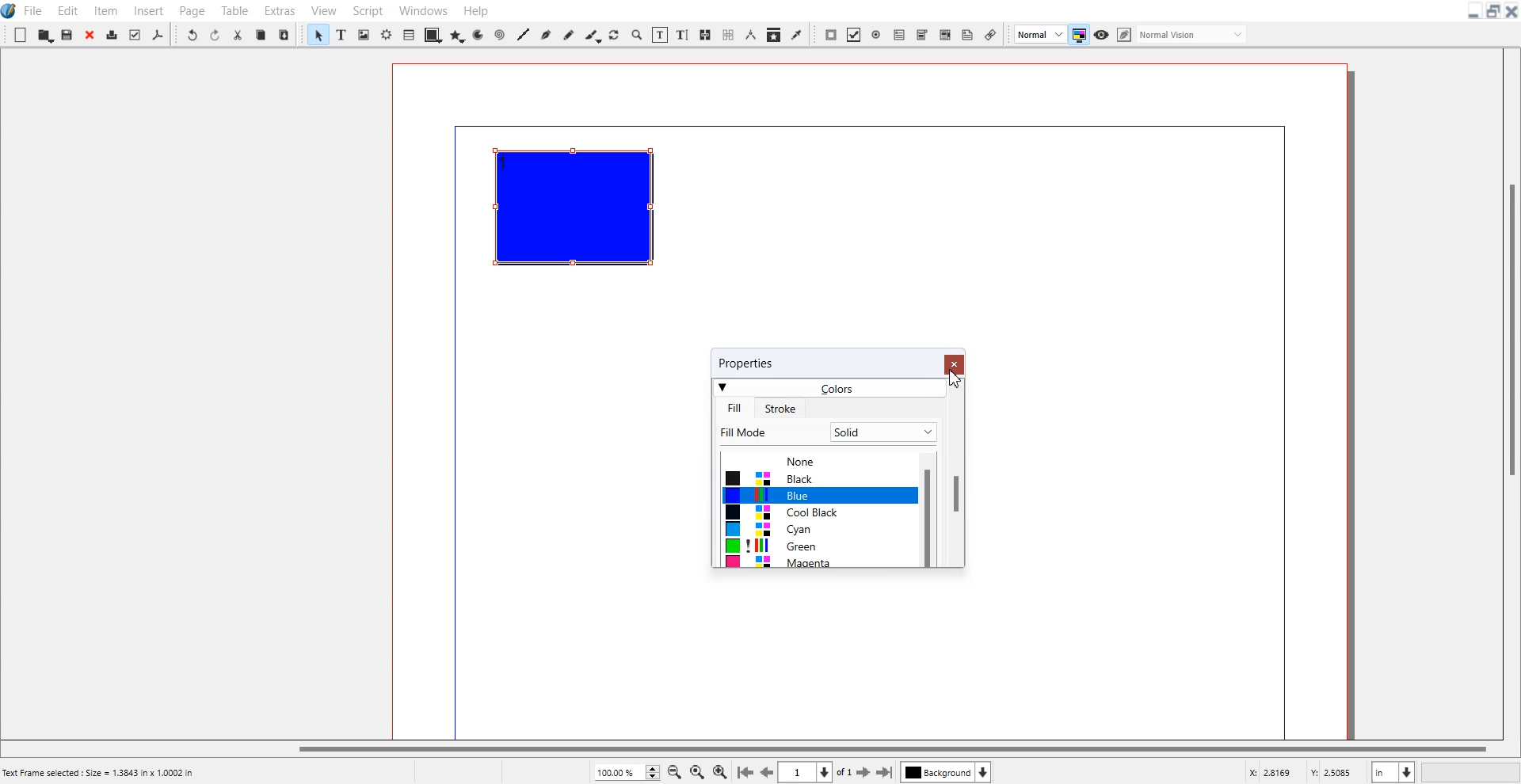 The height and width of the screenshot is (784, 1521). Describe the element at coordinates (1393, 771) in the screenshot. I see `Measurement in inches` at that location.